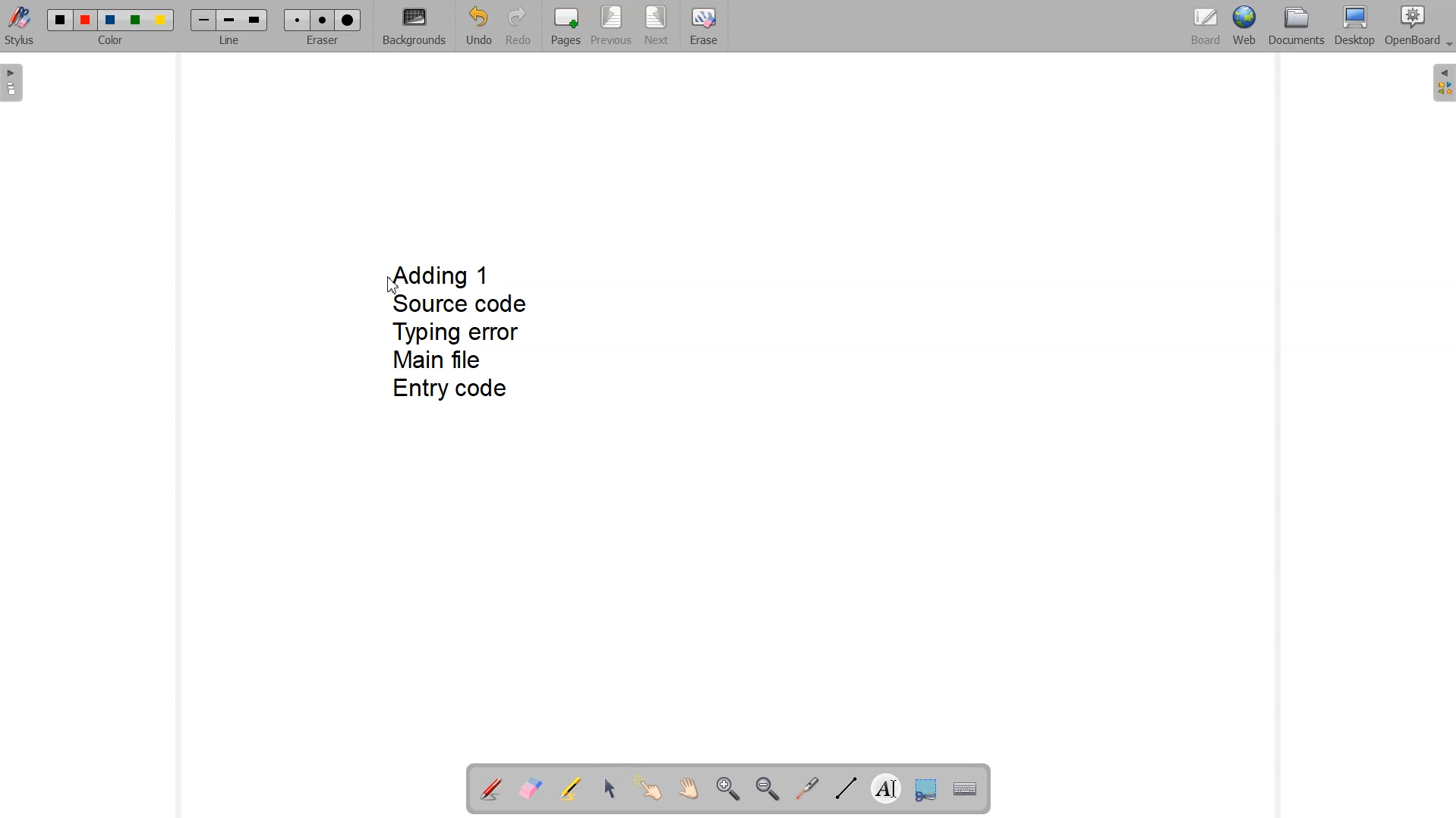 This screenshot has width=1456, height=818. Describe the element at coordinates (414, 27) in the screenshot. I see `Backgrounds` at that location.